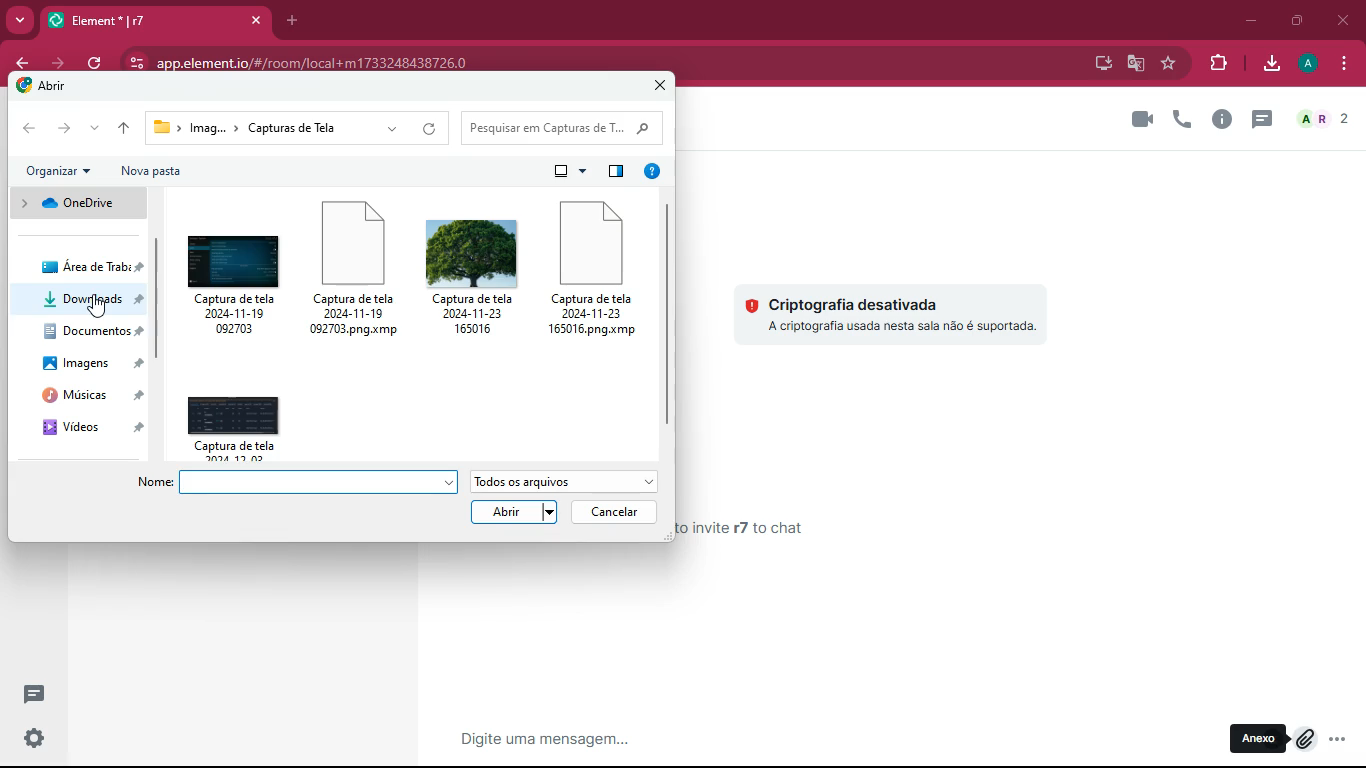 The height and width of the screenshot is (768, 1366). Describe the element at coordinates (242, 421) in the screenshot. I see `captura de tela 2024-12-02` at that location.